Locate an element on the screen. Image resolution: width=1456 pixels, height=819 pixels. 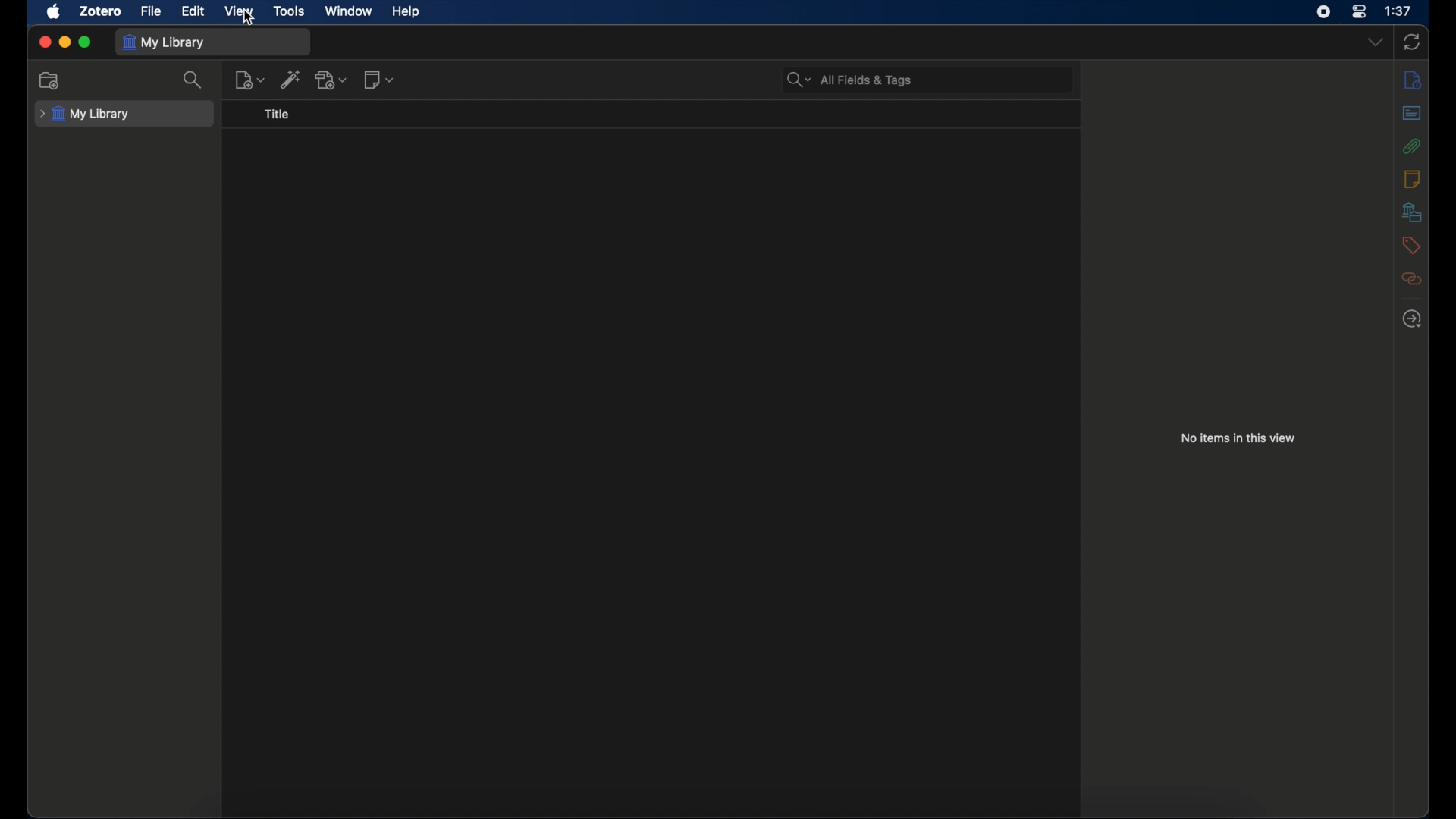
maximize is located at coordinates (86, 42).